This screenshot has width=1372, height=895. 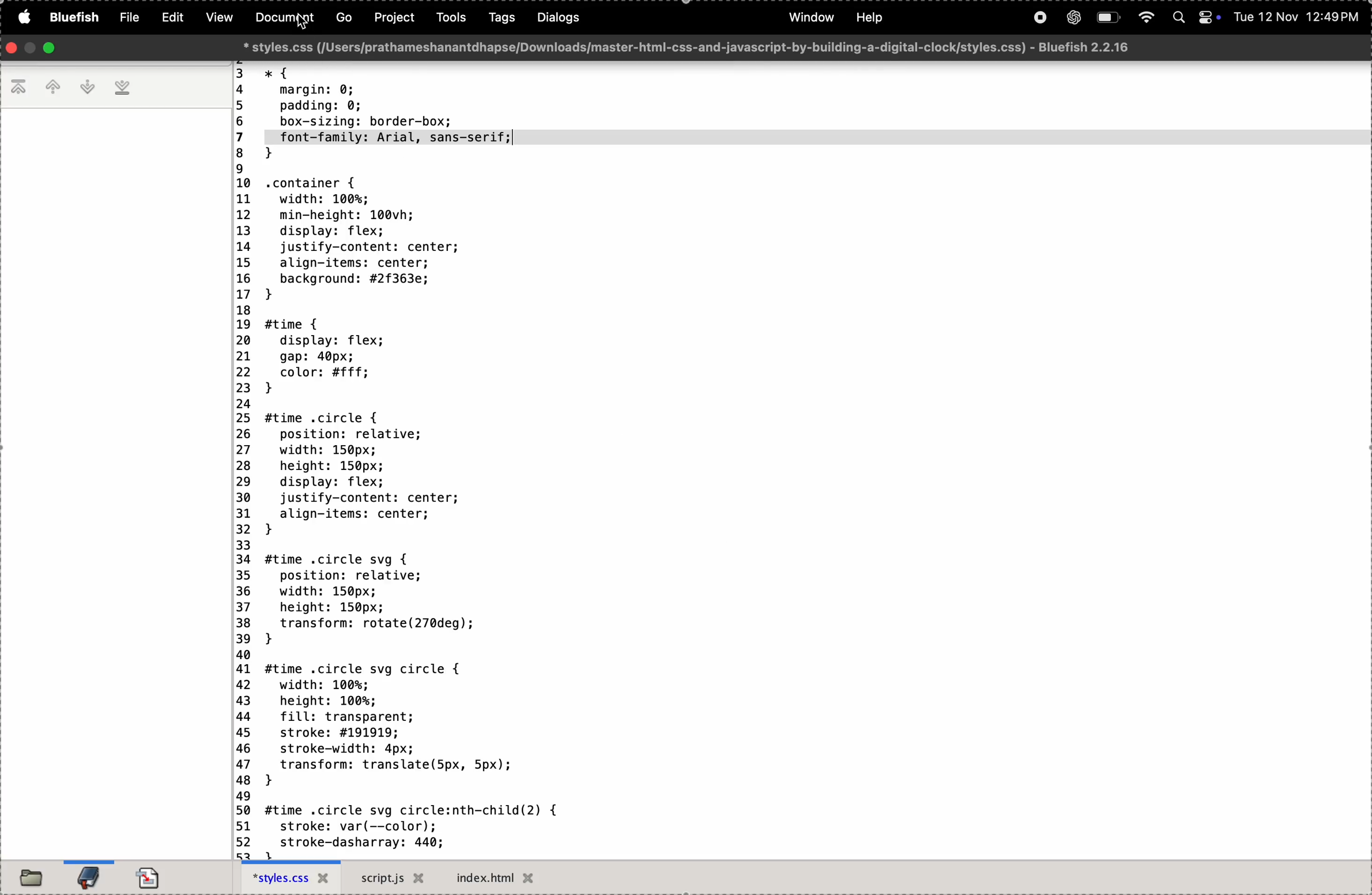 What do you see at coordinates (31, 877) in the screenshot?
I see `open file` at bounding box center [31, 877].